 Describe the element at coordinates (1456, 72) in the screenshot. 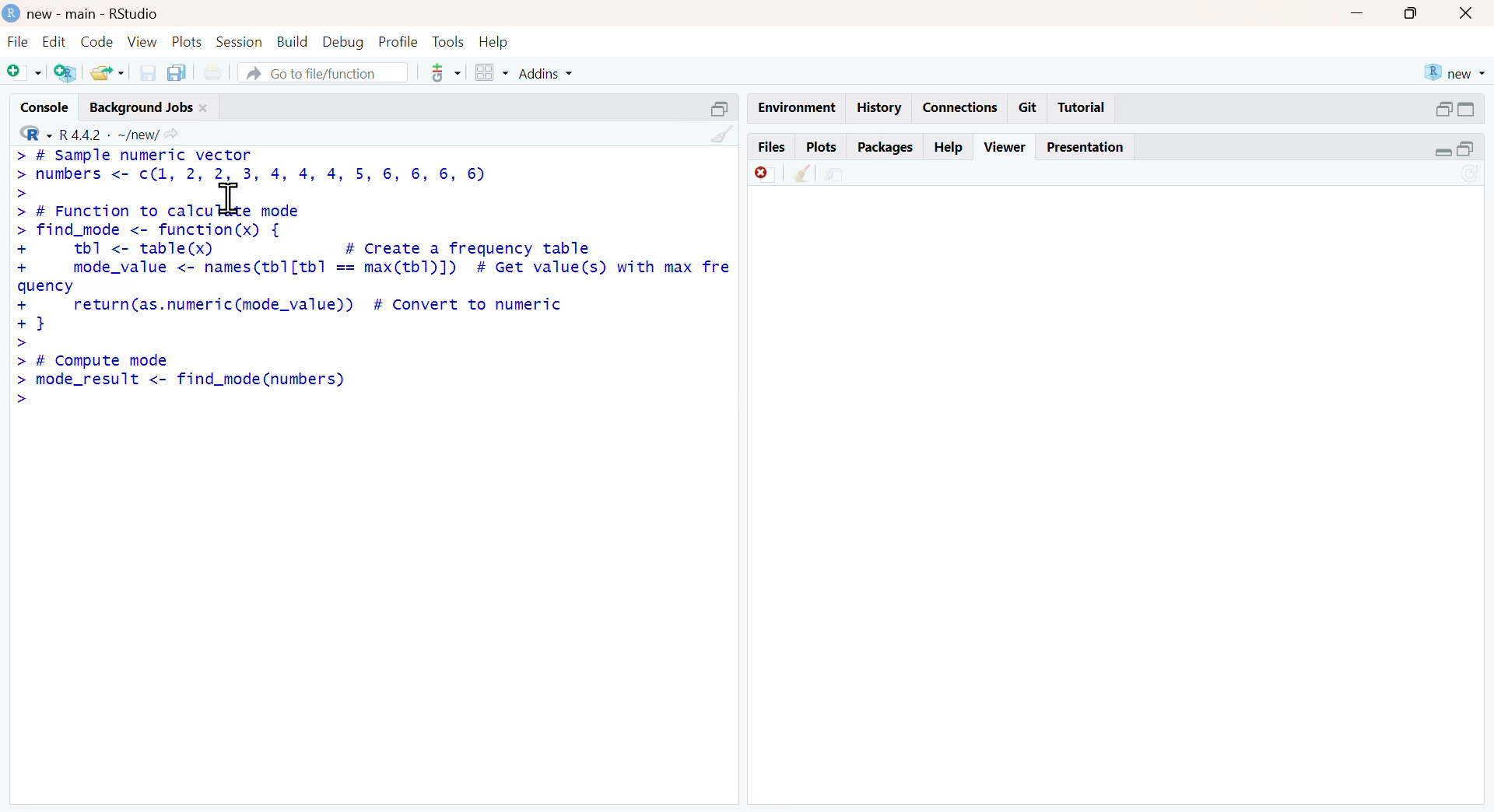

I see `new` at that location.